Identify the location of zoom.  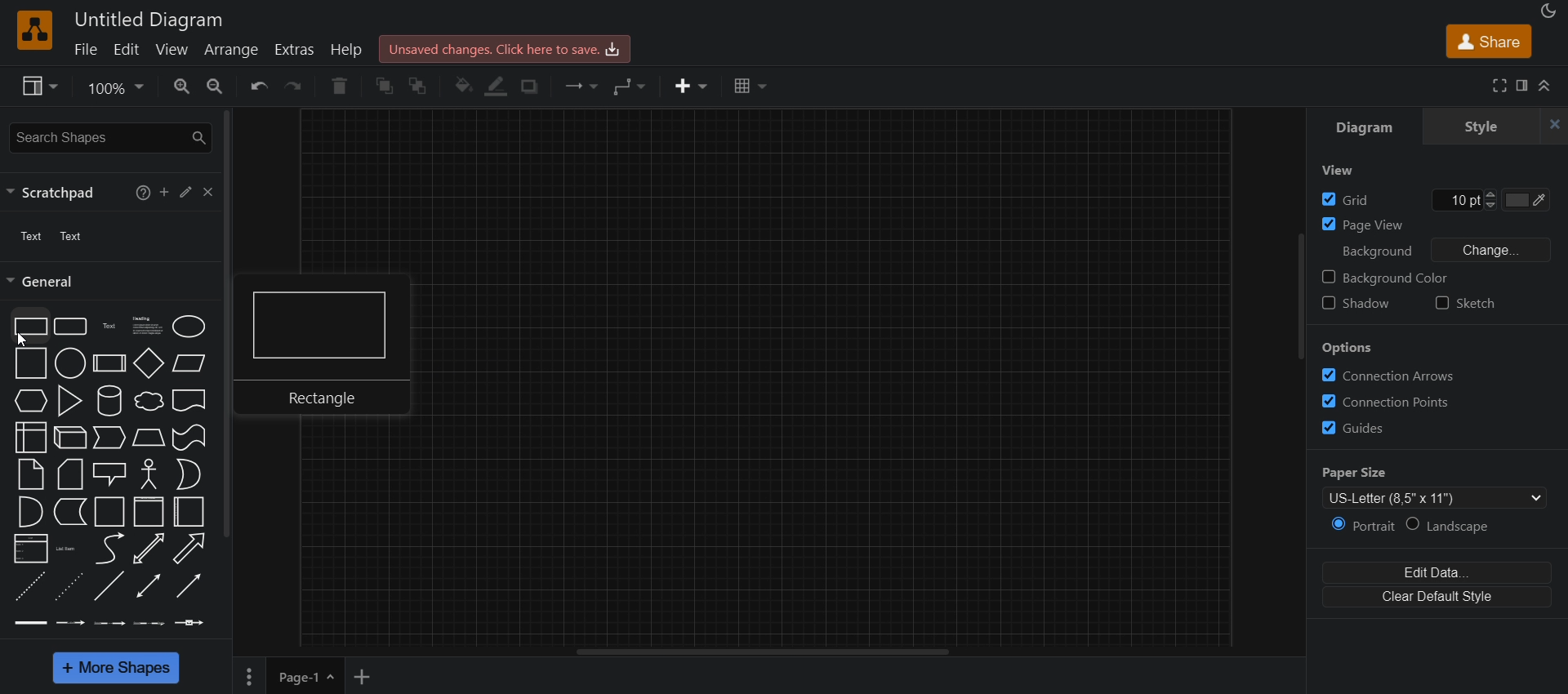
(118, 87).